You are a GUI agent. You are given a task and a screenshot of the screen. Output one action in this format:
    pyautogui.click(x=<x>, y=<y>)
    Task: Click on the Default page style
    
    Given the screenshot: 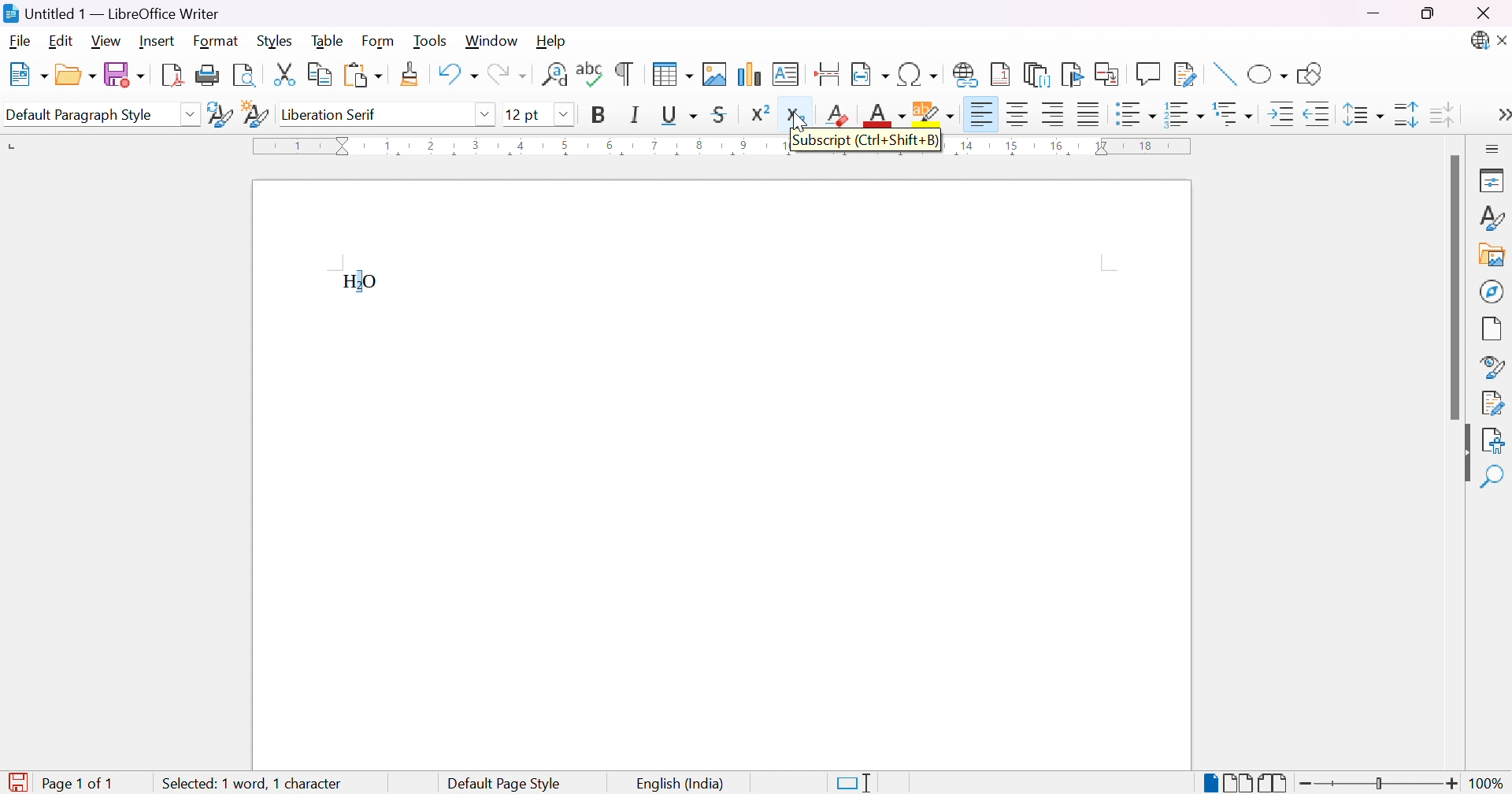 What is the action you would take?
    pyautogui.click(x=504, y=784)
    